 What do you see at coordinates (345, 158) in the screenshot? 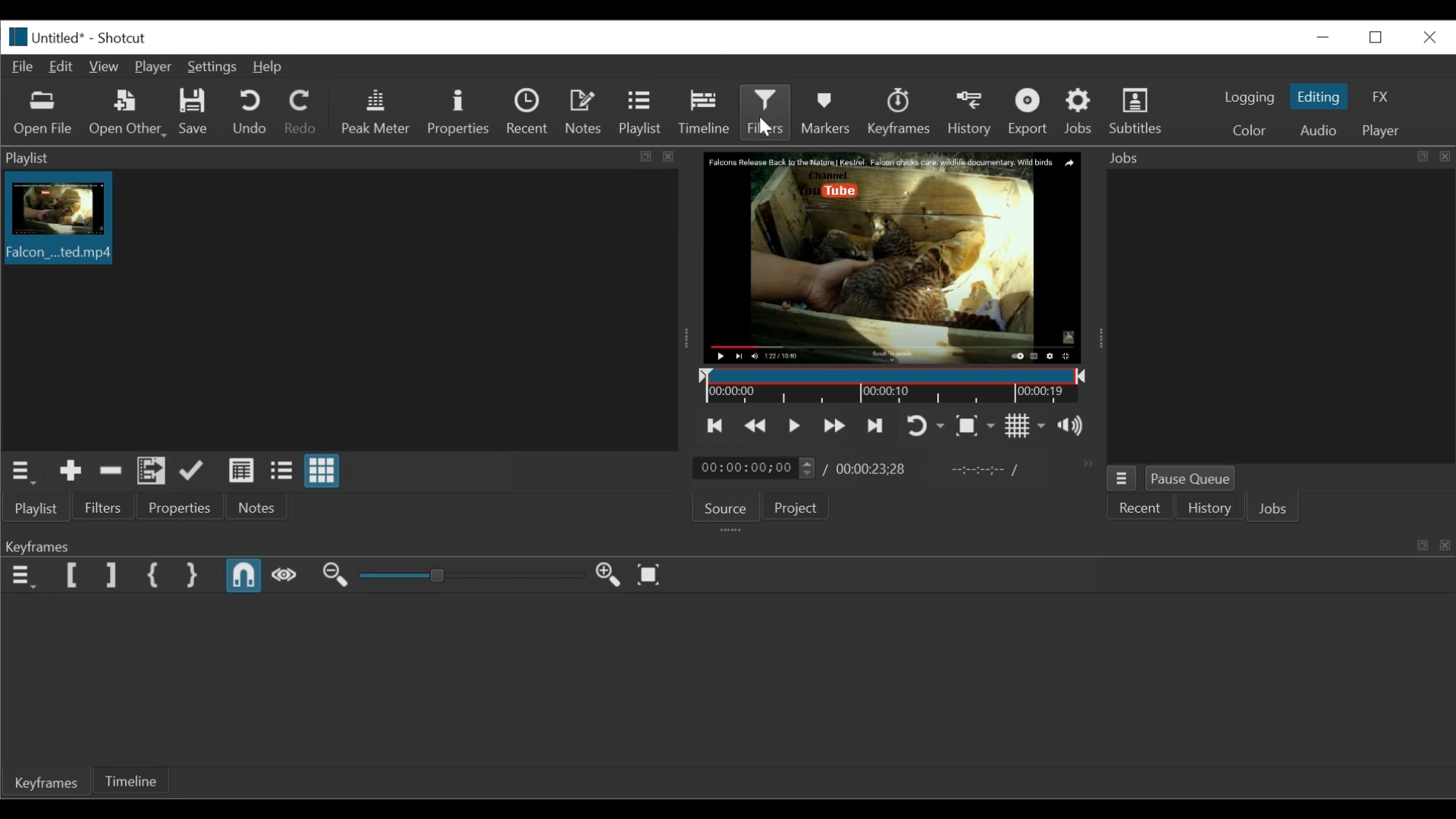
I see `Playlist Panel` at bounding box center [345, 158].